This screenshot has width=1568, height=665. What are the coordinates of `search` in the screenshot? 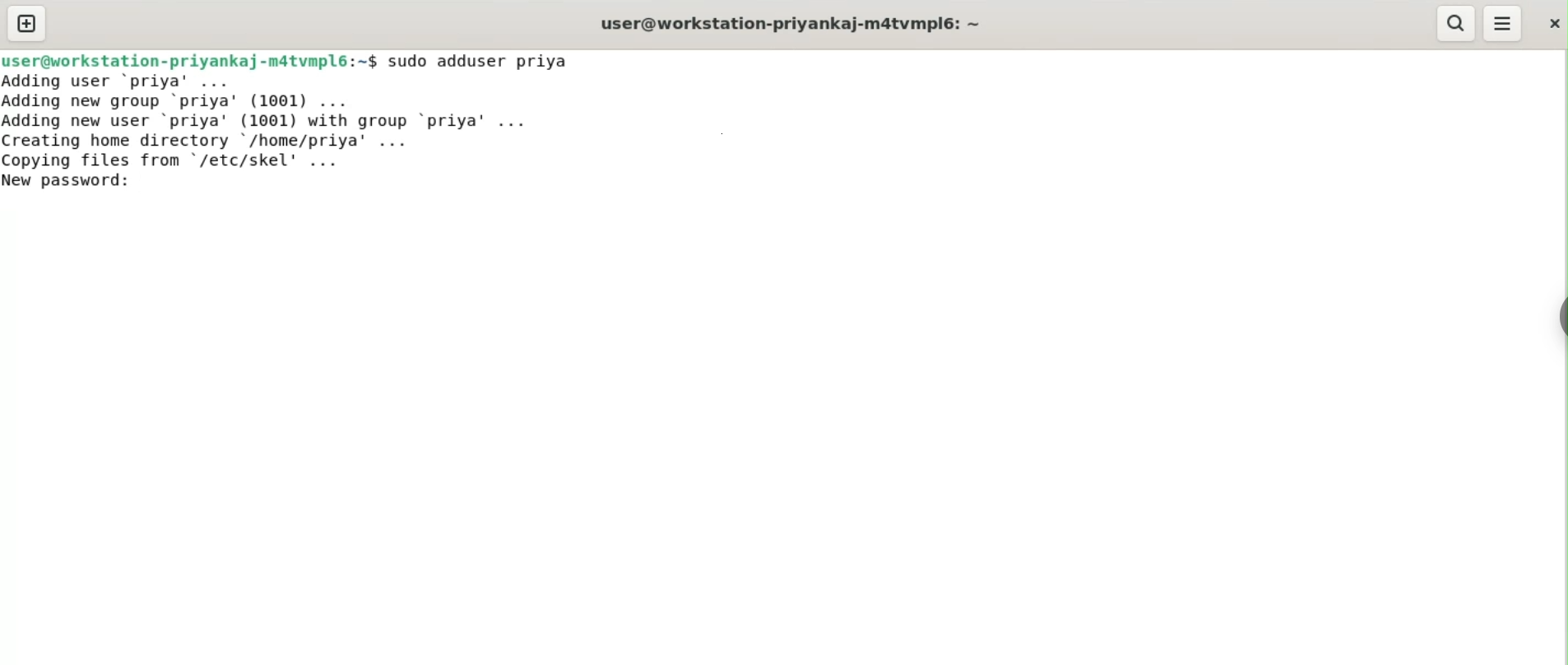 It's located at (1457, 24).